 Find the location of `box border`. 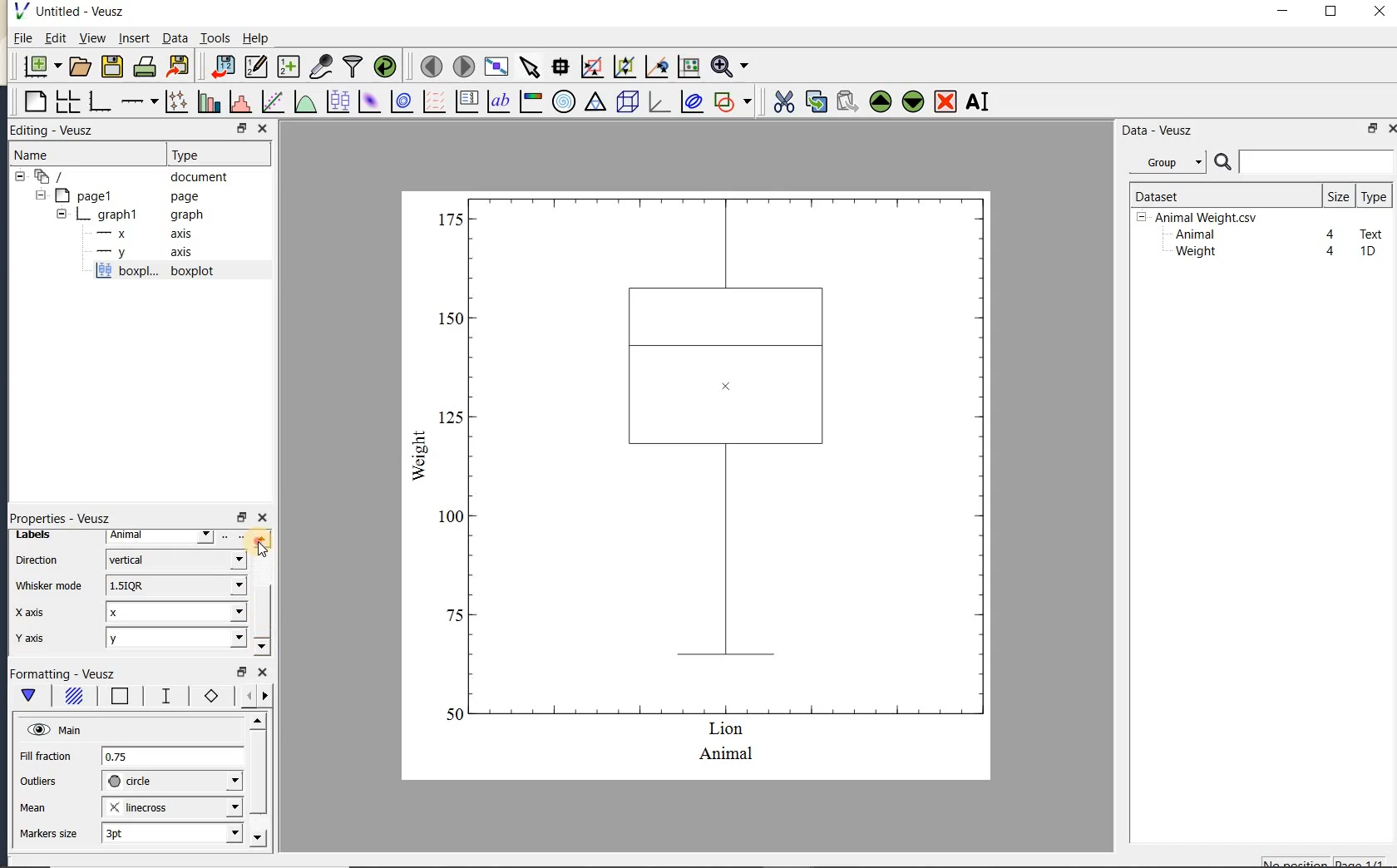

box border is located at coordinates (116, 698).